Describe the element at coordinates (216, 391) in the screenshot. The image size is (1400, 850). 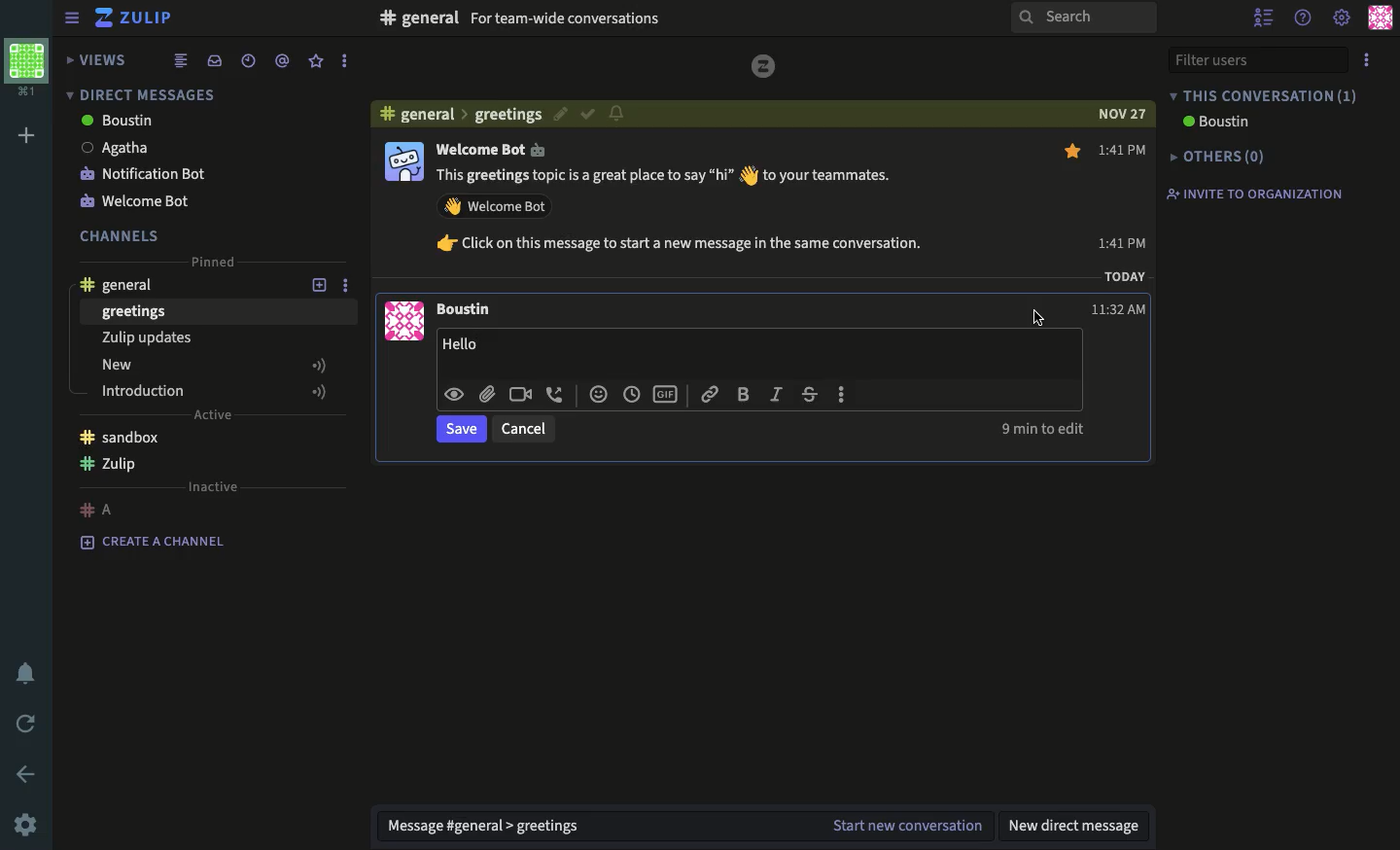
I see `introduction` at that location.